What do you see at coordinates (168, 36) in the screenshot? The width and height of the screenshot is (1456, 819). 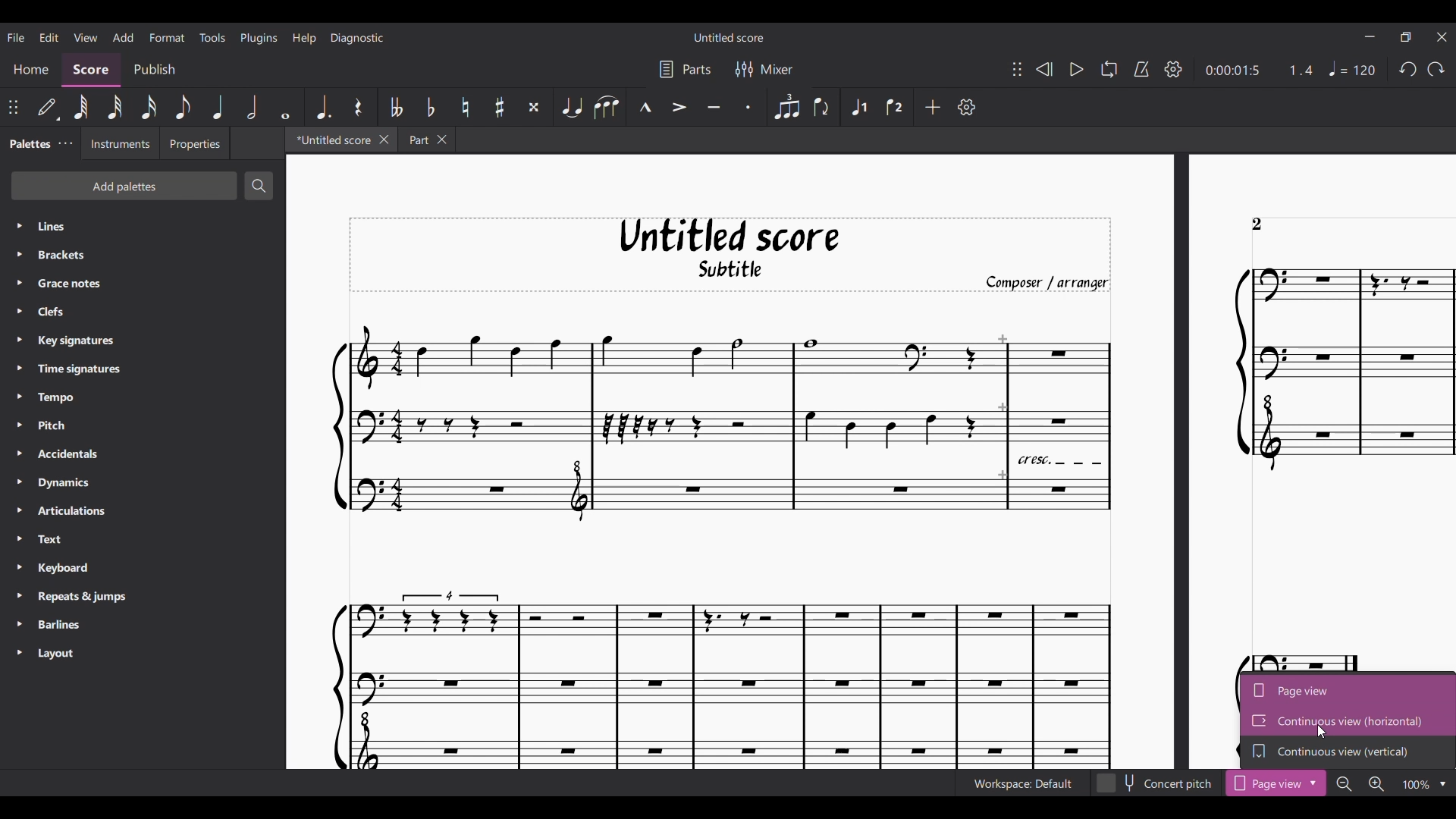 I see `Format menu` at bounding box center [168, 36].